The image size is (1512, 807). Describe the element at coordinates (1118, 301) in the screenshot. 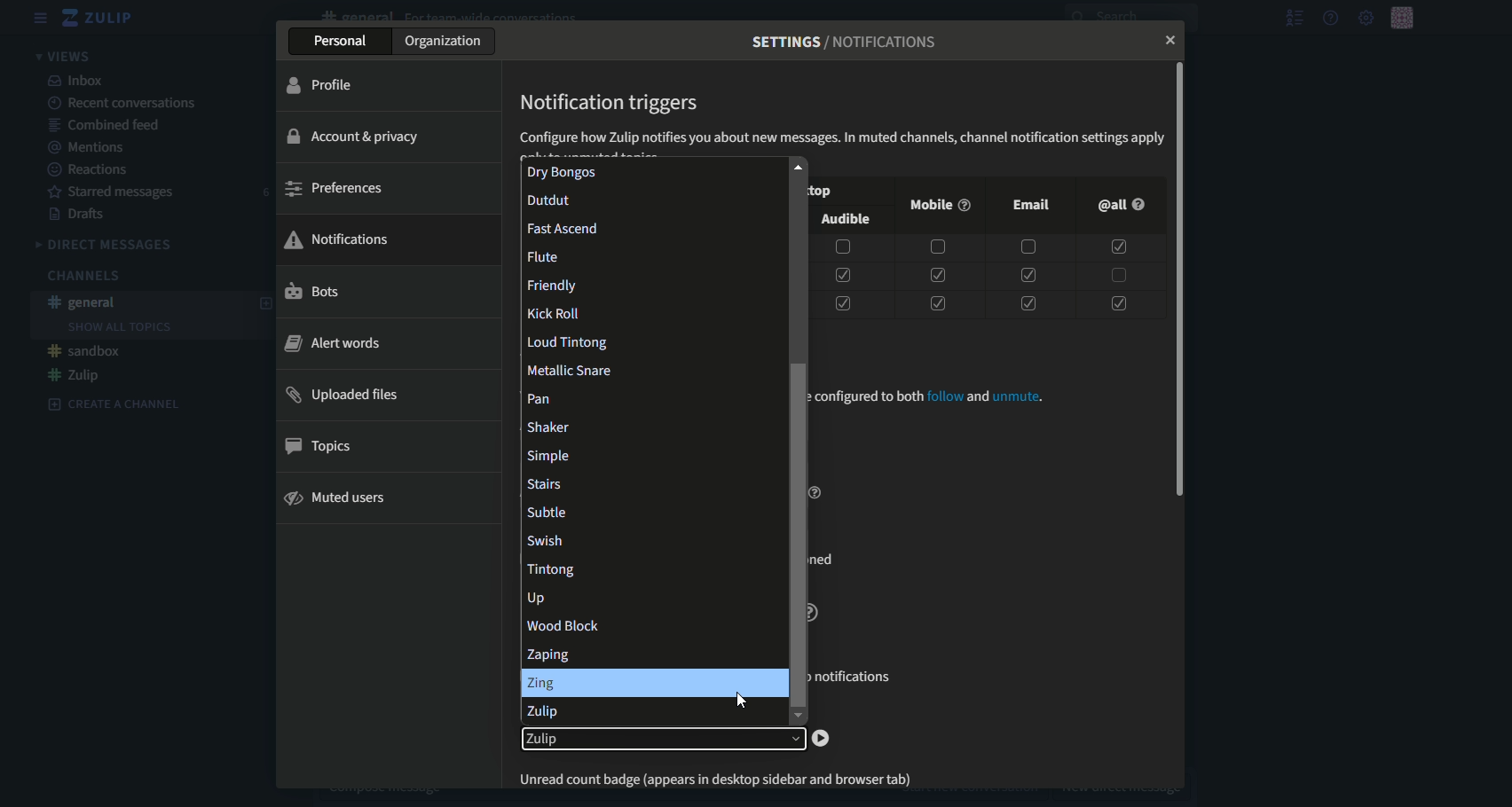

I see `checkbox` at that location.